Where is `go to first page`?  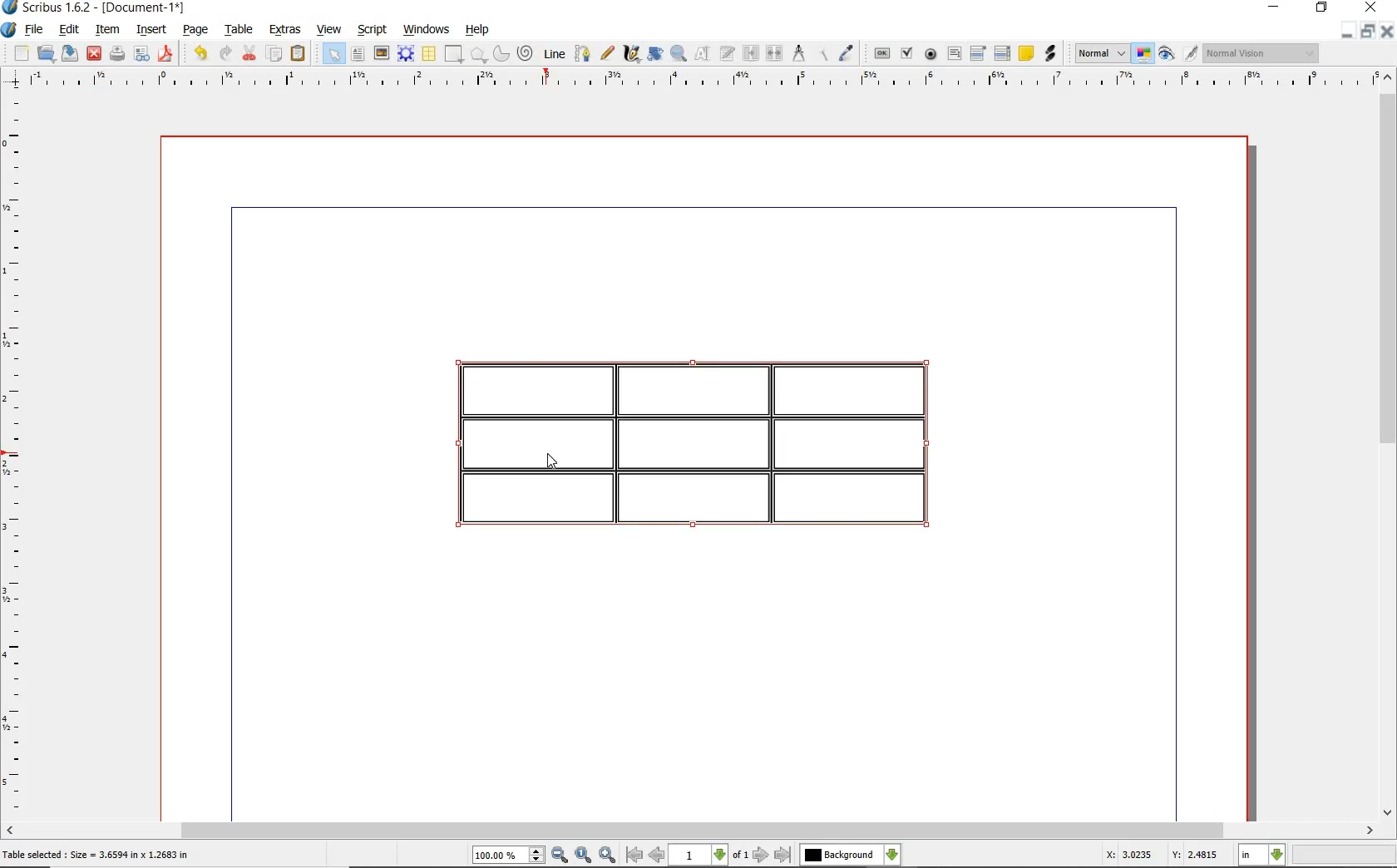
go to first page is located at coordinates (634, 856).